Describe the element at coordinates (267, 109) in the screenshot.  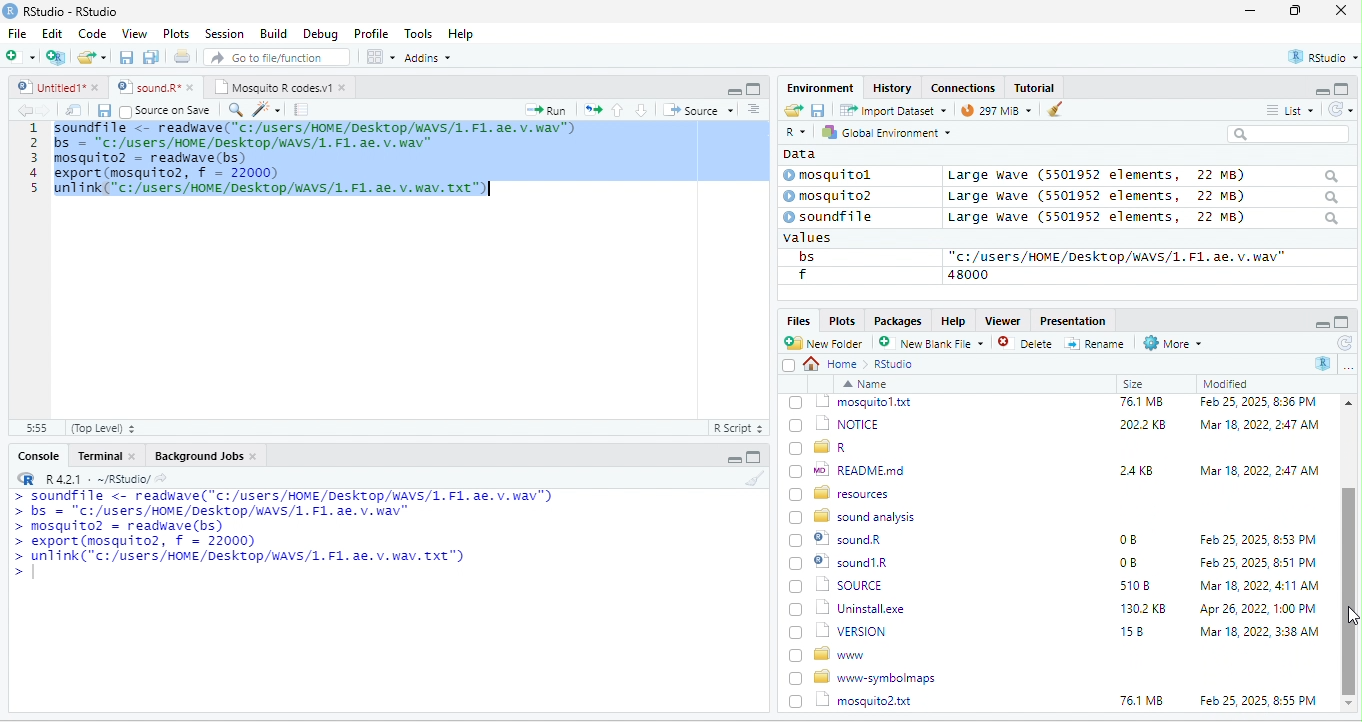
I see `sharpen` at that location.